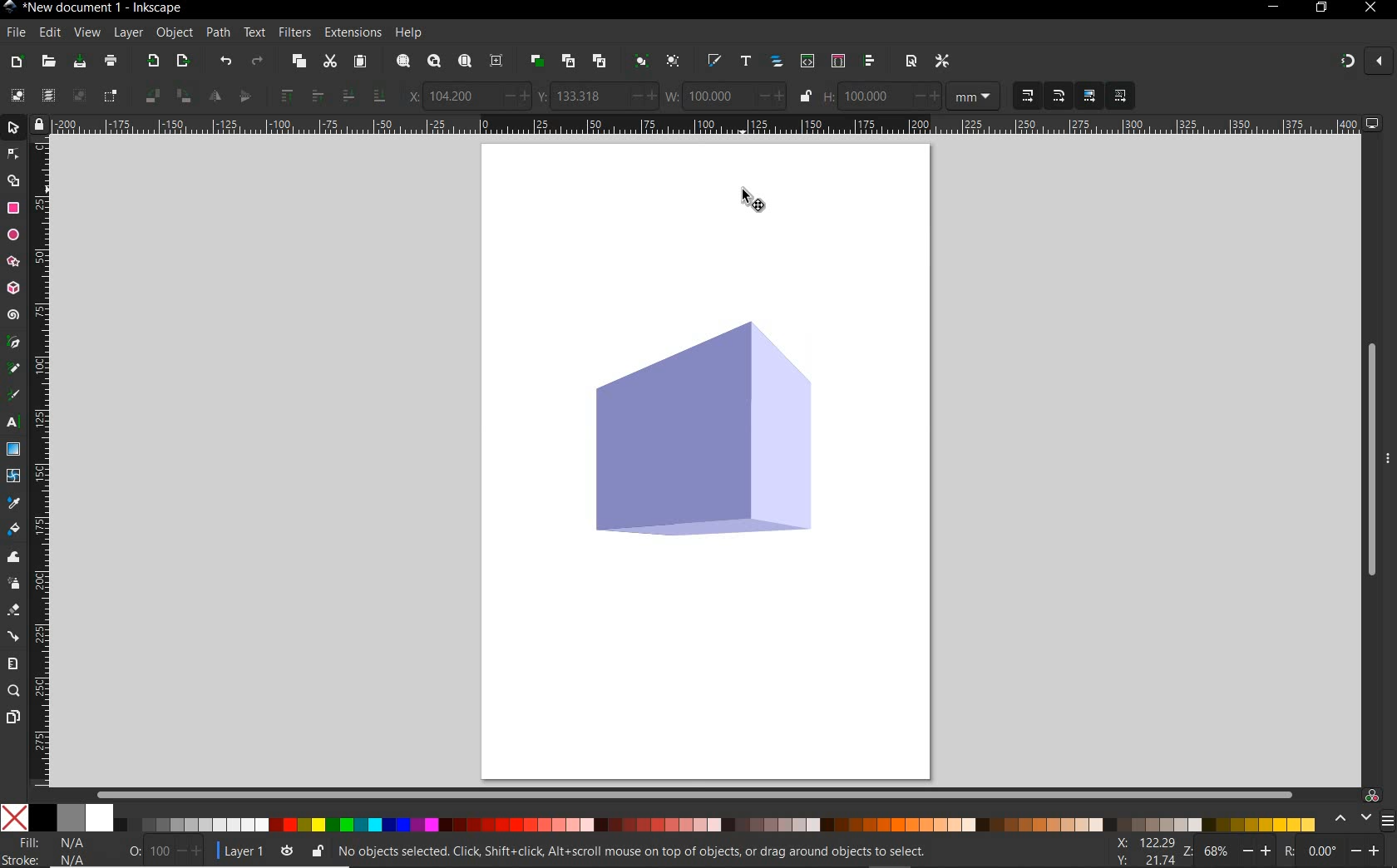 Image resolution: width=1397 pixels, height=868 pixels. Describe the element at coordinates (13, 449) in the screenshot. I see `gradient tool` at that location.